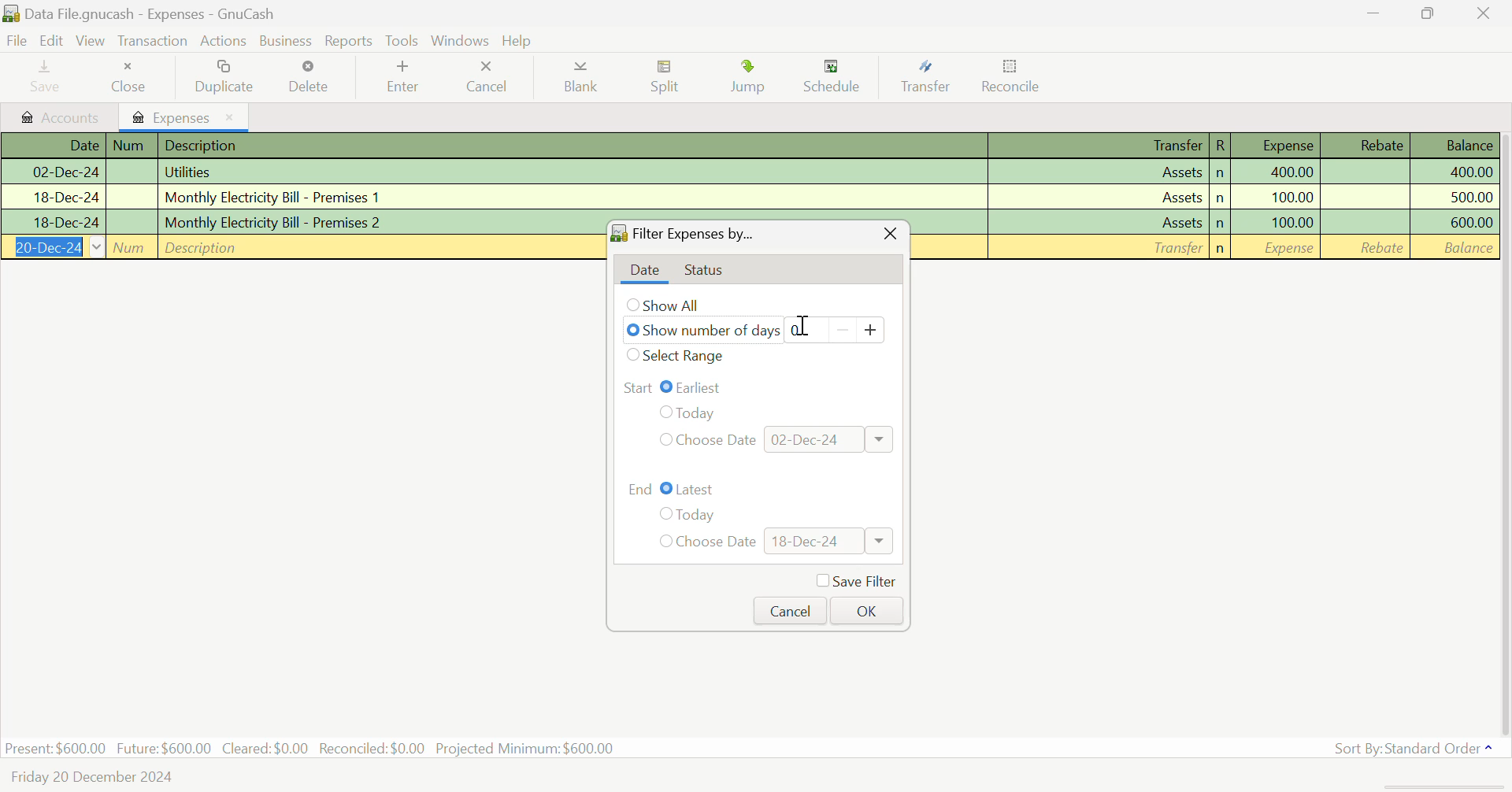  Describe the element at coordinates (164, 748) in the screenshot. I see `Future` at that location.